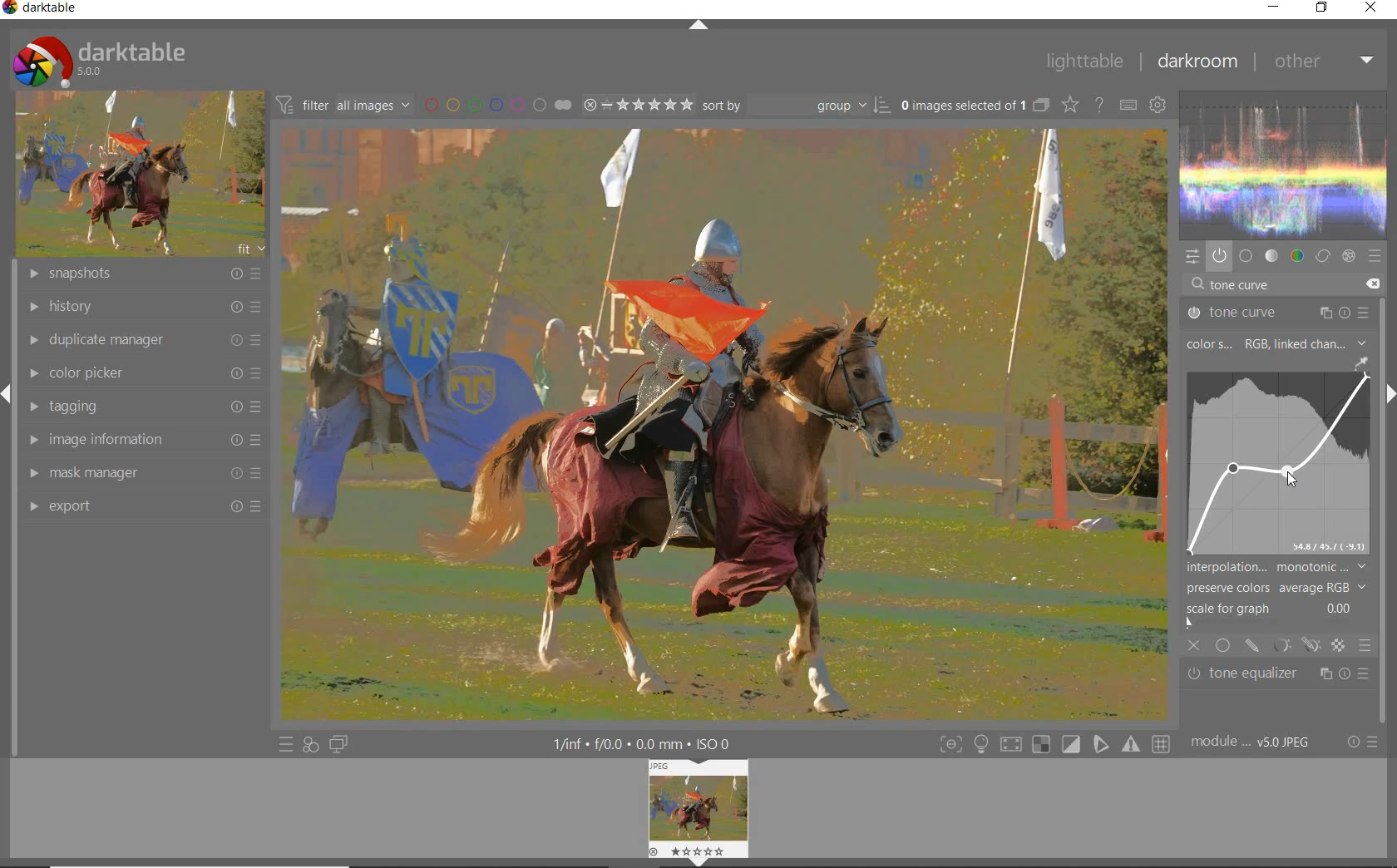 This screenshot has height=868, width=1397. What do you see at coordinates (98, 57) in the screenshot?
I see `darktable` at bounding box center [98, 57].